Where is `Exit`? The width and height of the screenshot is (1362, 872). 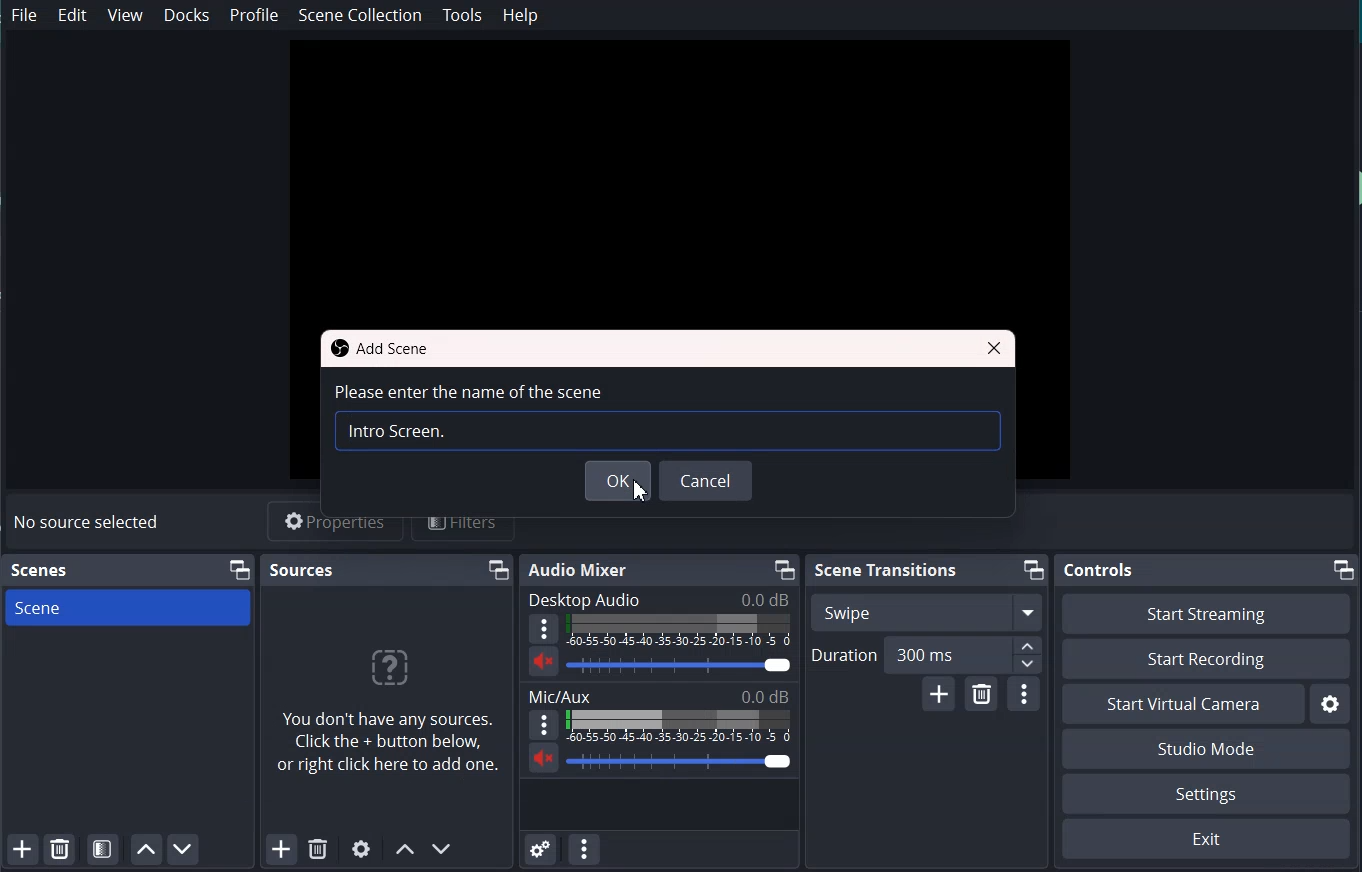
Exit is located at coordinates (1207, 838).